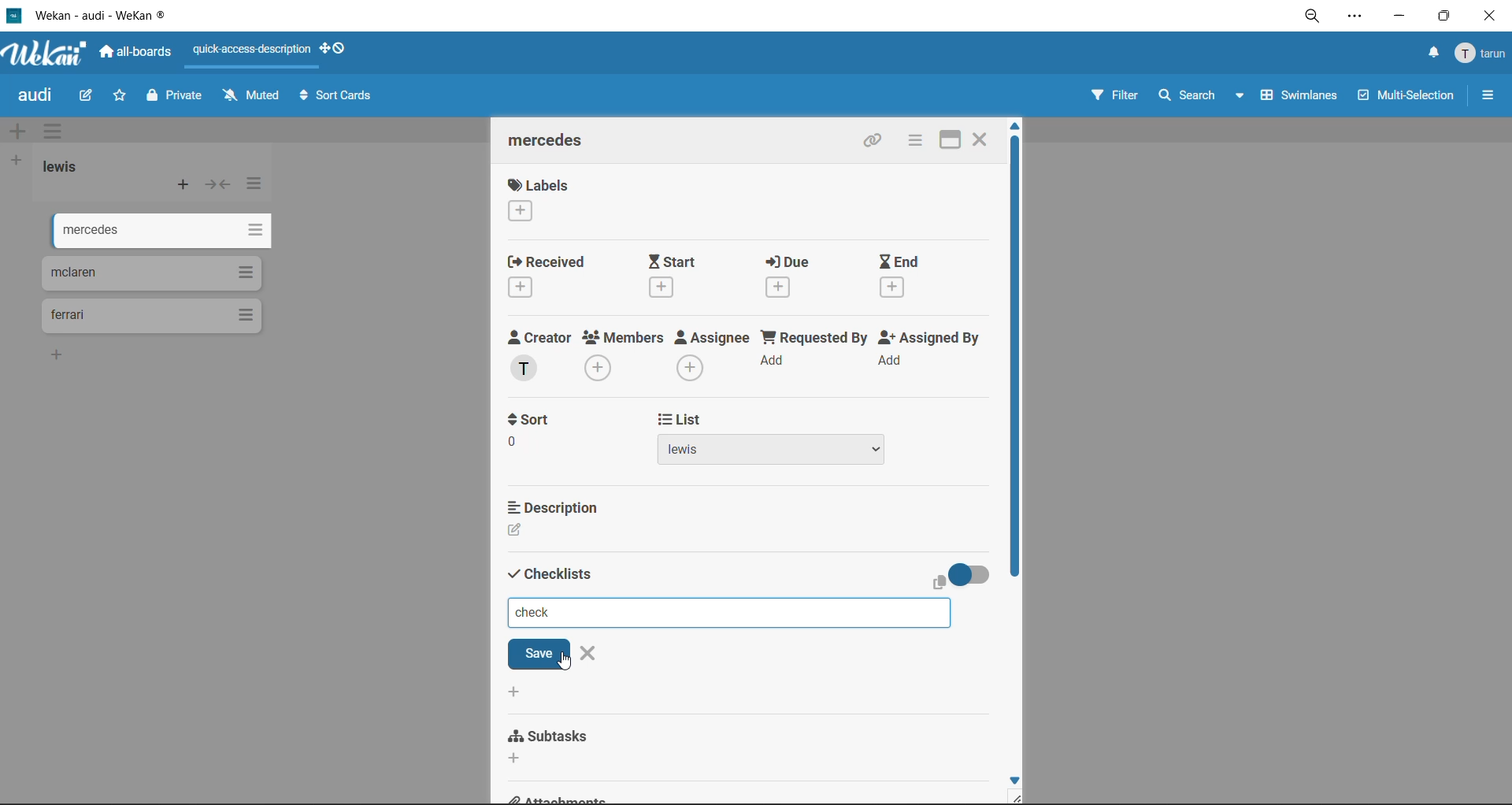 This screenshot has width=1512, height=805. What do you see at coordinates (121, 99) in the screenshot?
I see `star` at bounding box center [121, 99].